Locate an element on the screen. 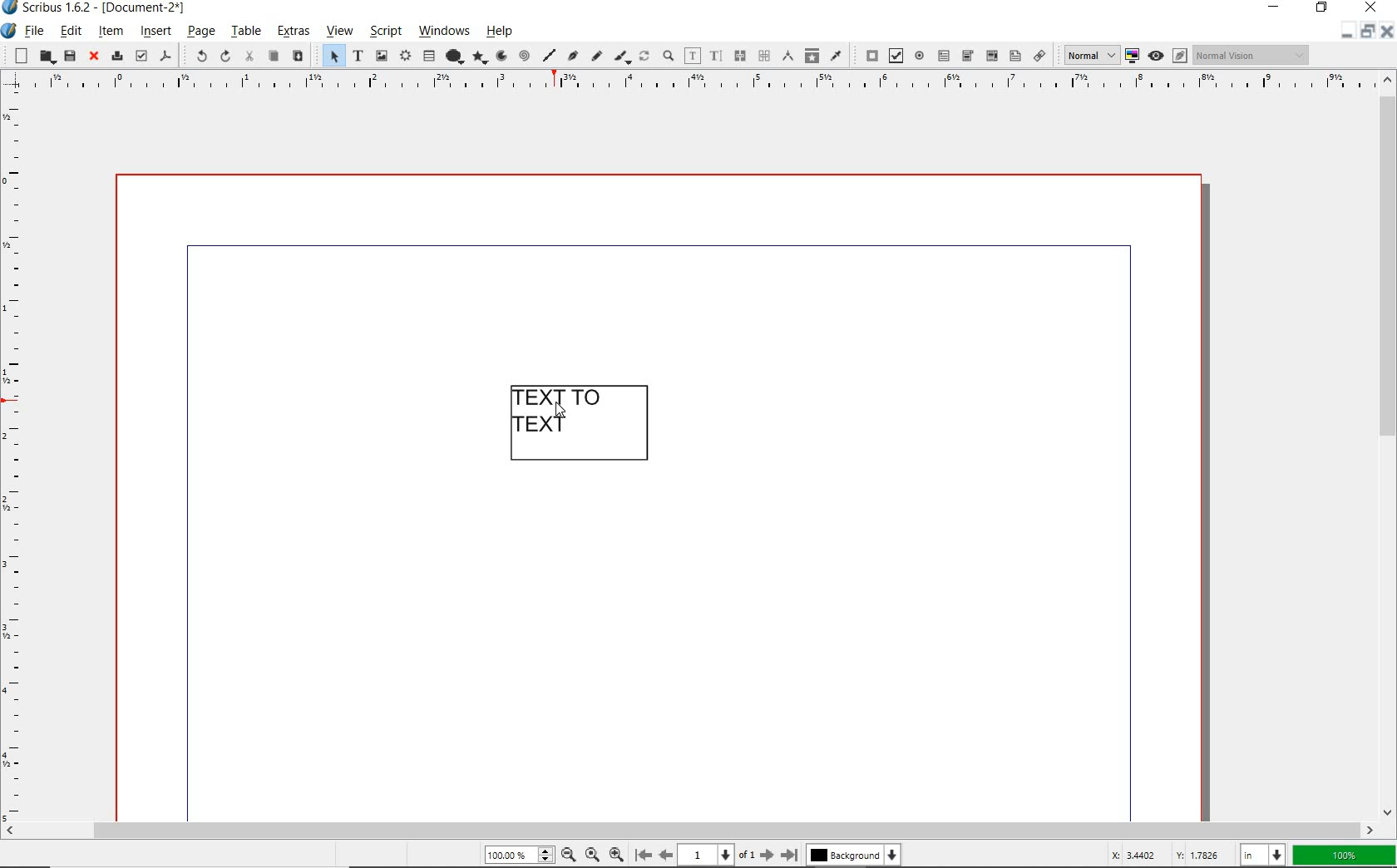 This screenshot has width=1397, height=868. table is located at coordinates (244, 31).